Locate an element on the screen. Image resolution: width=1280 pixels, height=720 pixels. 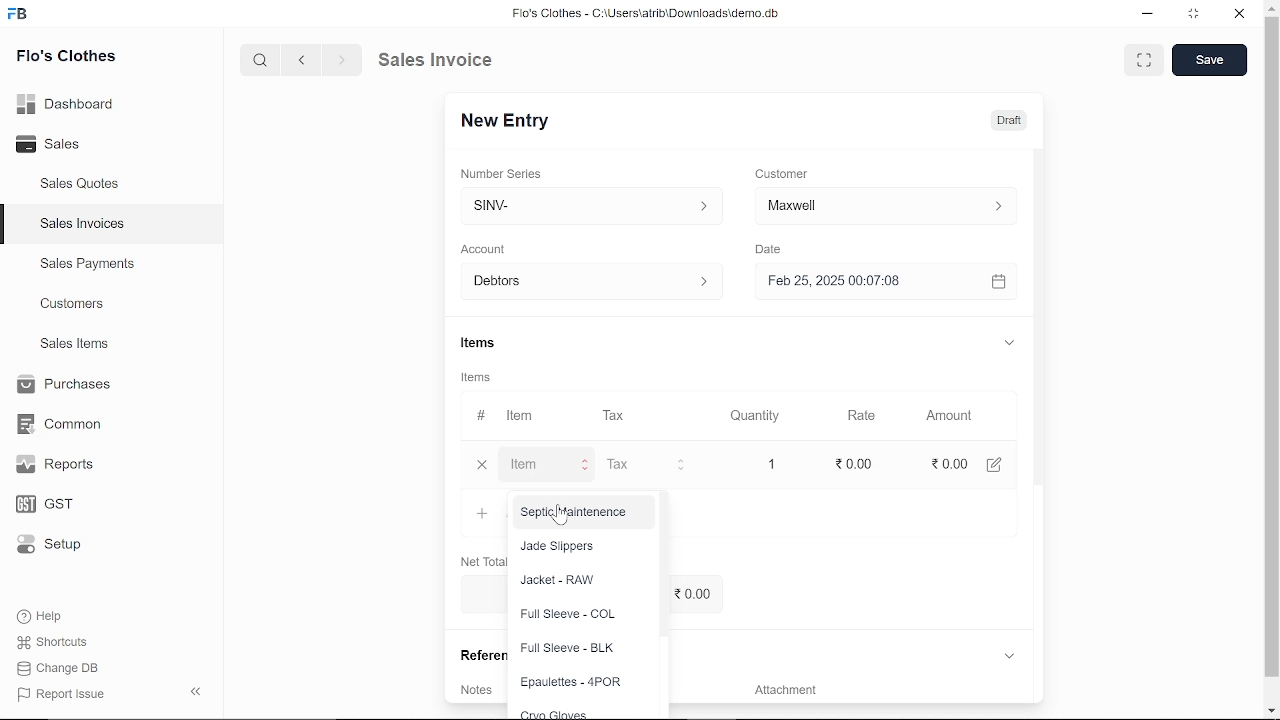
Item is located at coordinates (550, 465).